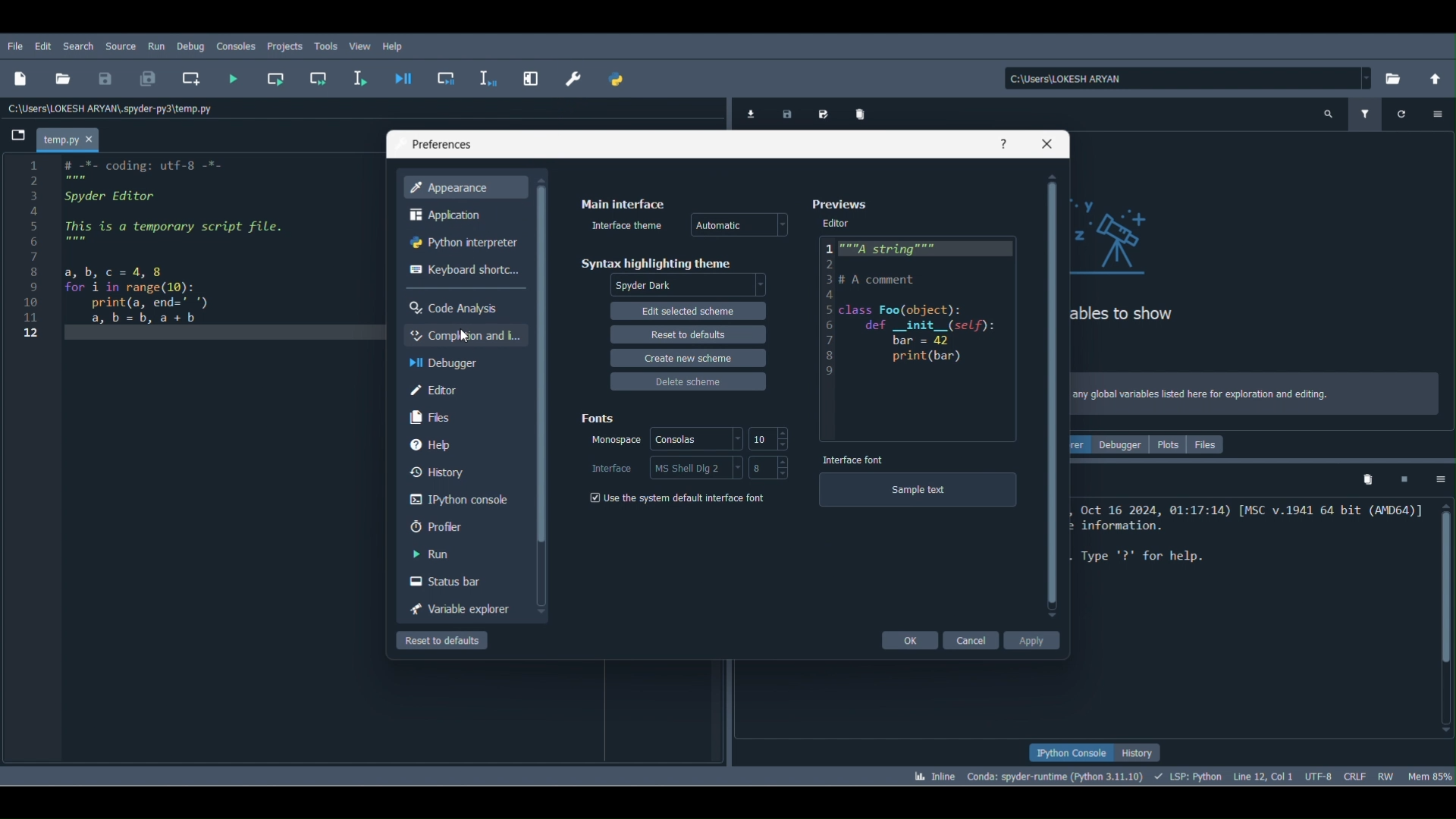  Describe the element at coordinates (613, 443) in the screenshot. I see `Monospace` at that location.